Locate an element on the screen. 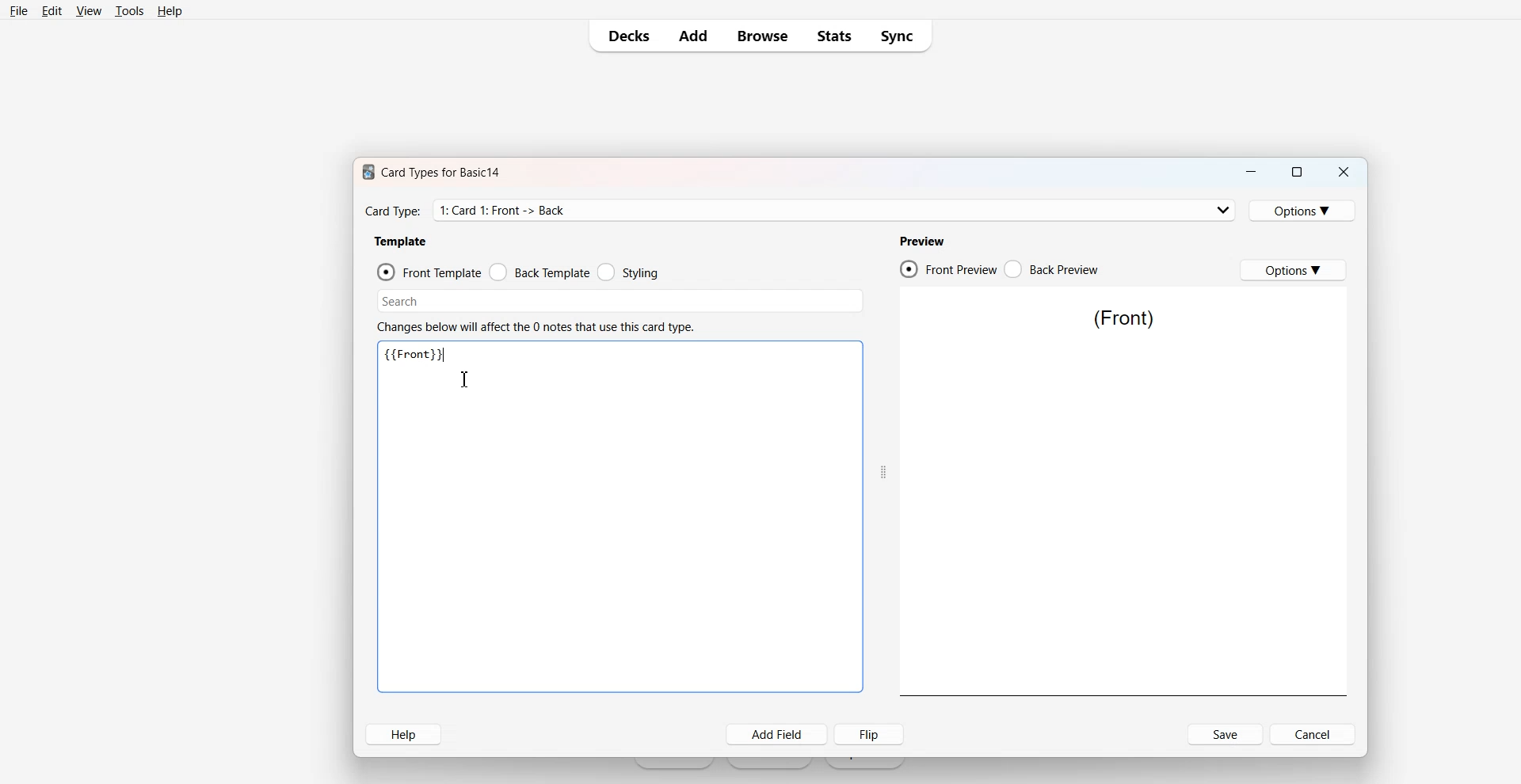  Save is located at coordinates (1226, 735).